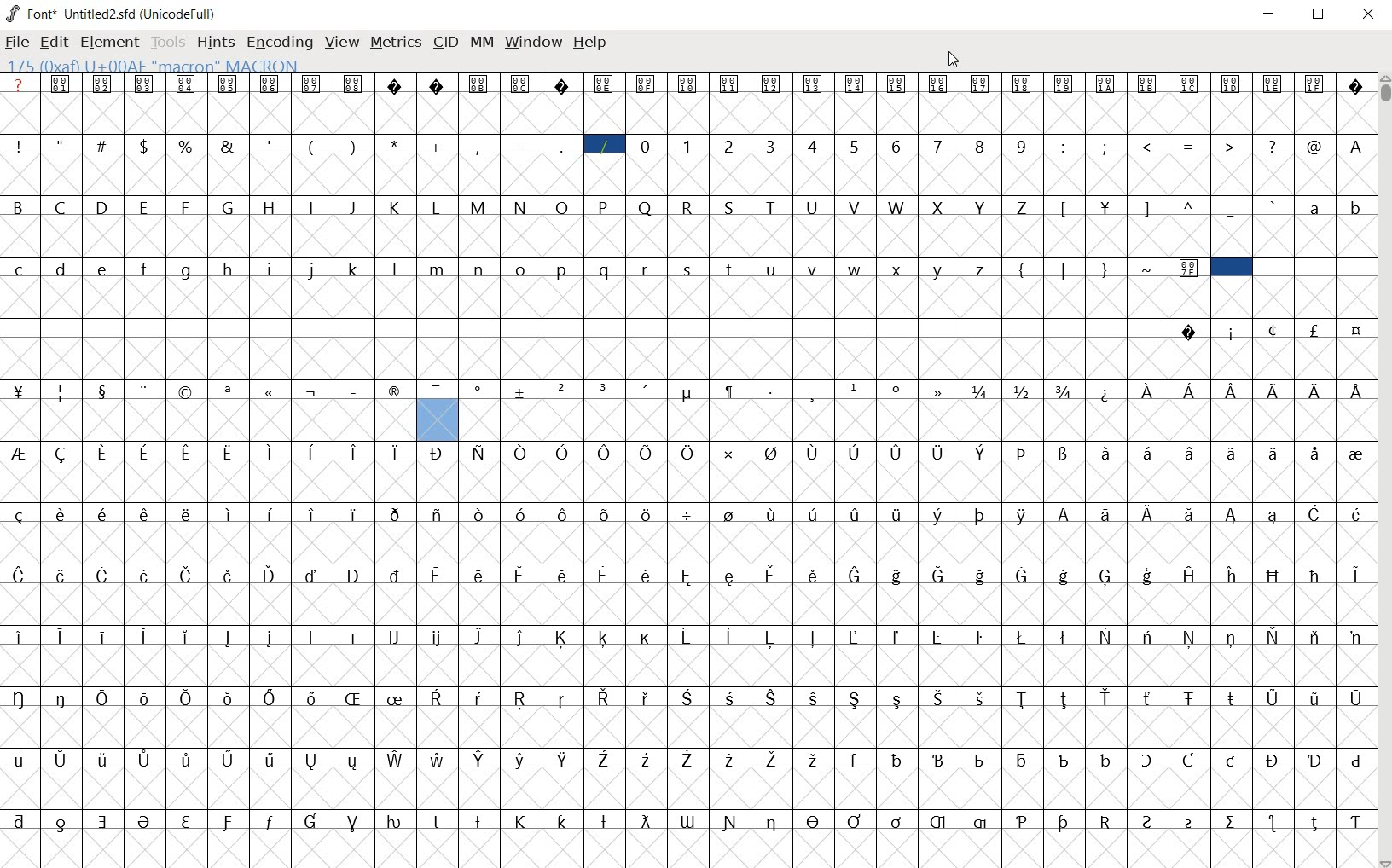  What do you see at coordinates (564, 146) in the screenshot?
I see `_` at bounding box center [564, 146].